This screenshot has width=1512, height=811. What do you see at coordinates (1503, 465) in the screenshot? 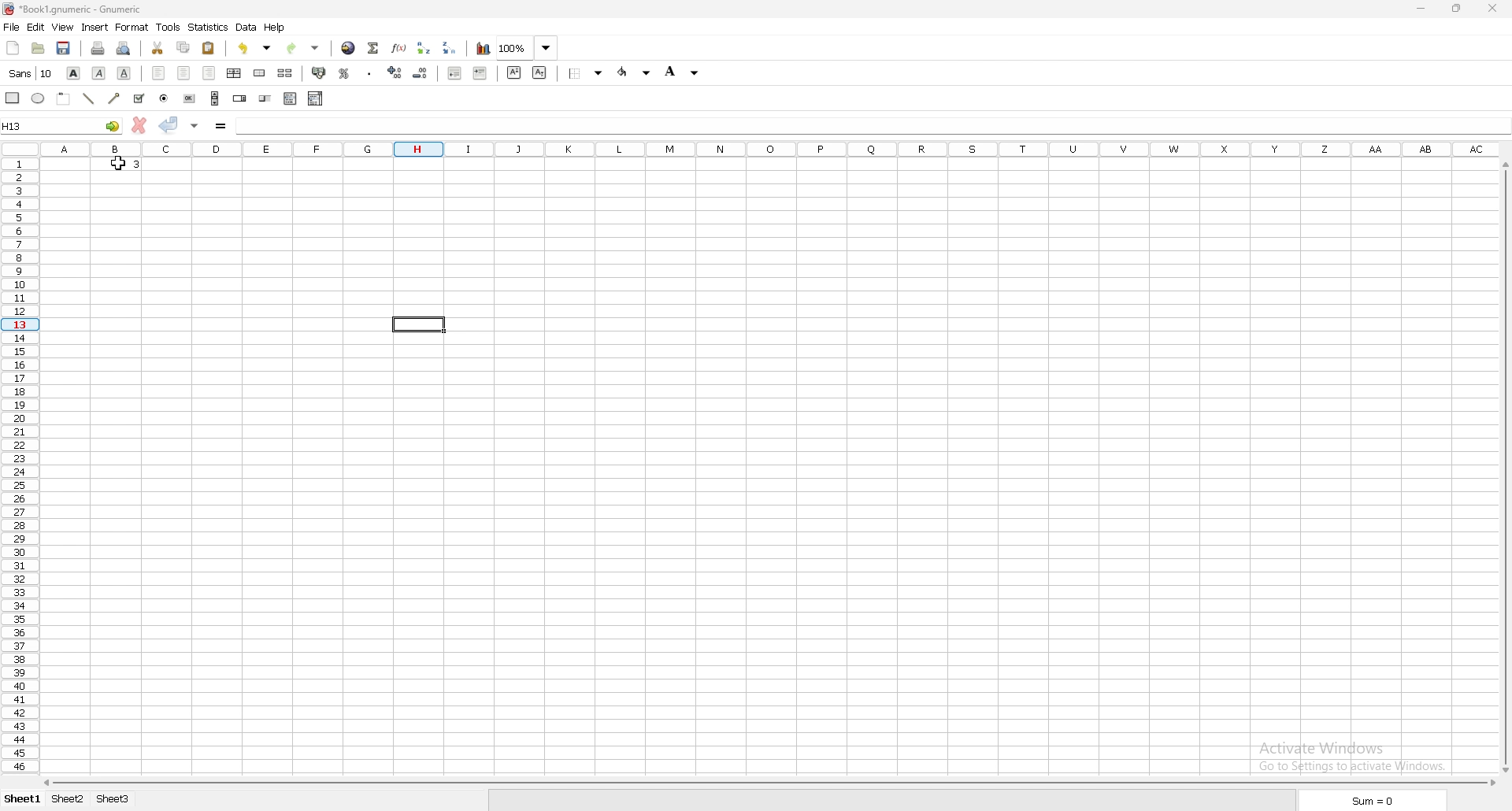
I see `scroll bar` at bounding box center [1503, 465].